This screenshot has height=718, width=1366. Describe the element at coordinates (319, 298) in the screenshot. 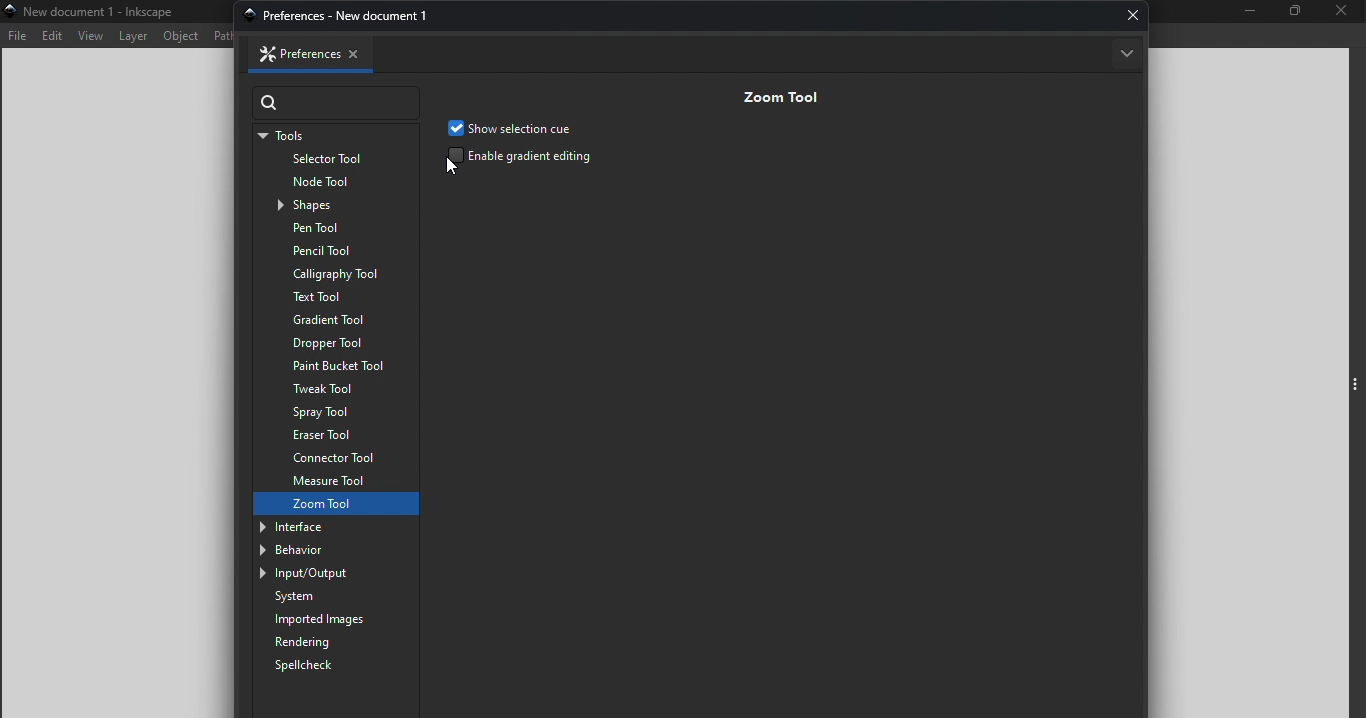

I see `Text tool` at that location.